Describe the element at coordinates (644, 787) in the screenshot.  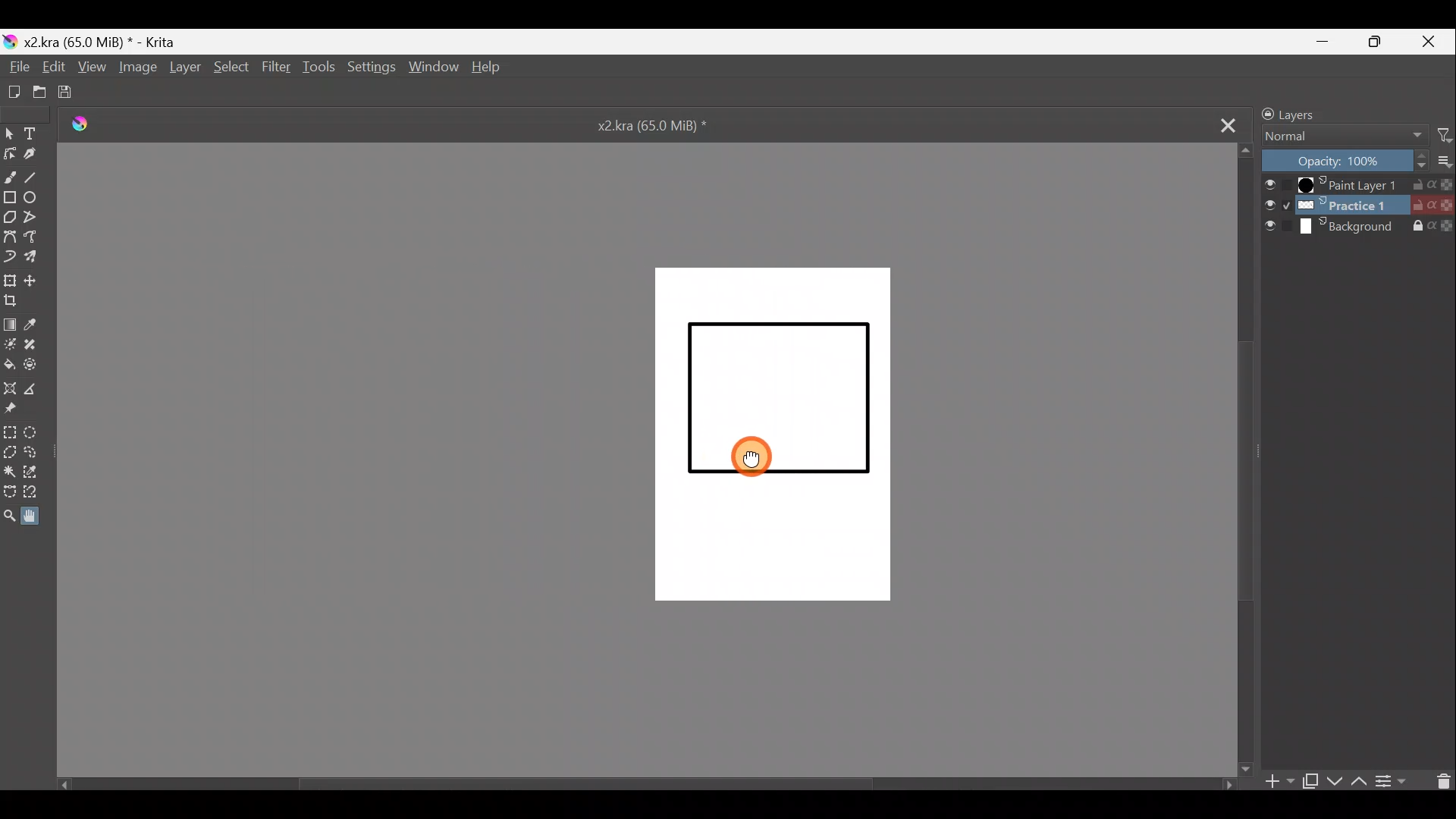
I see `Scroll bar` at that location.